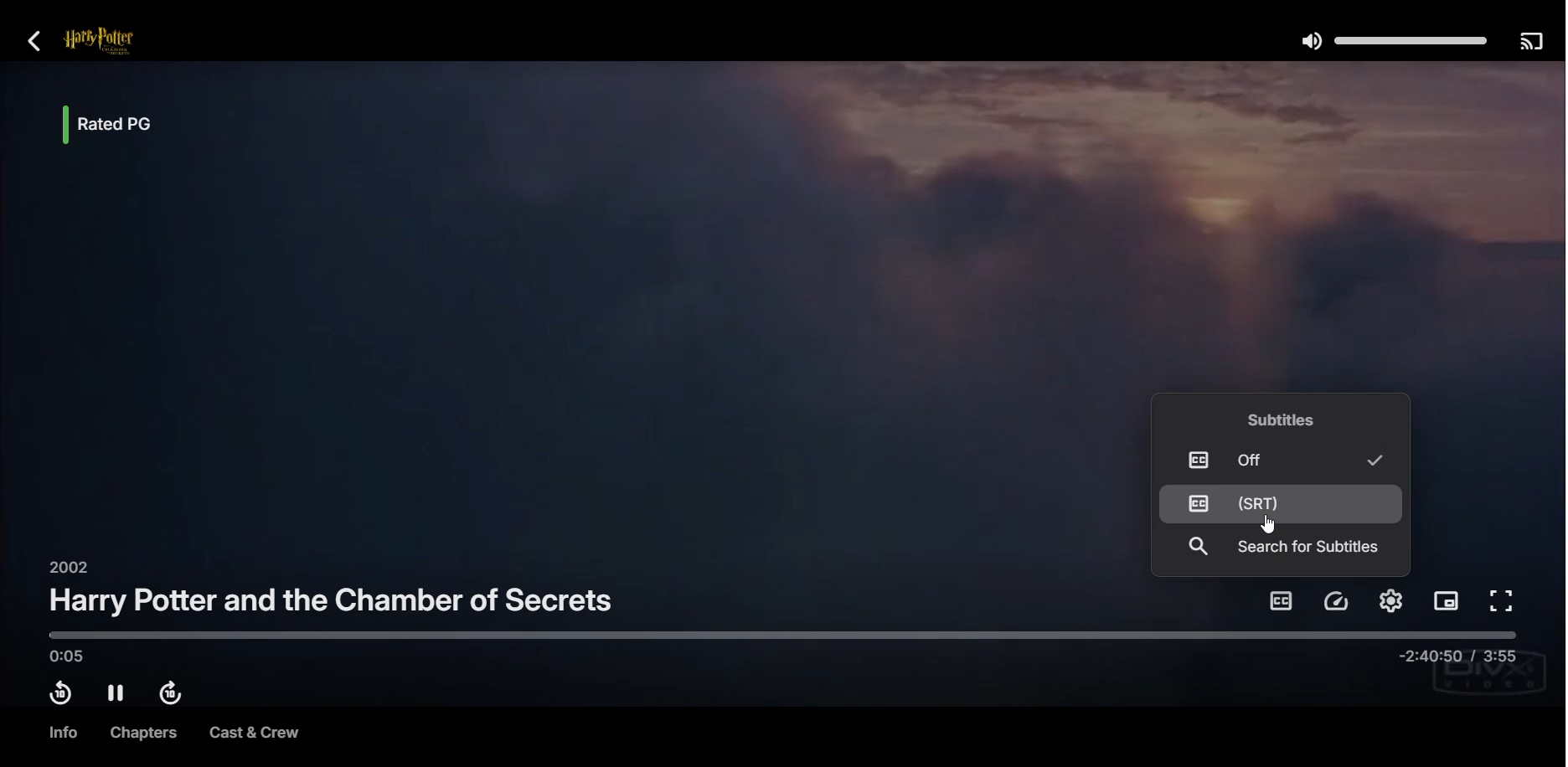 This screenshot has width=1568, height=767. What do you see at coordinates (1268, 525) in the screenshot?
I see `cursor` at bounding box center [1268, 525].